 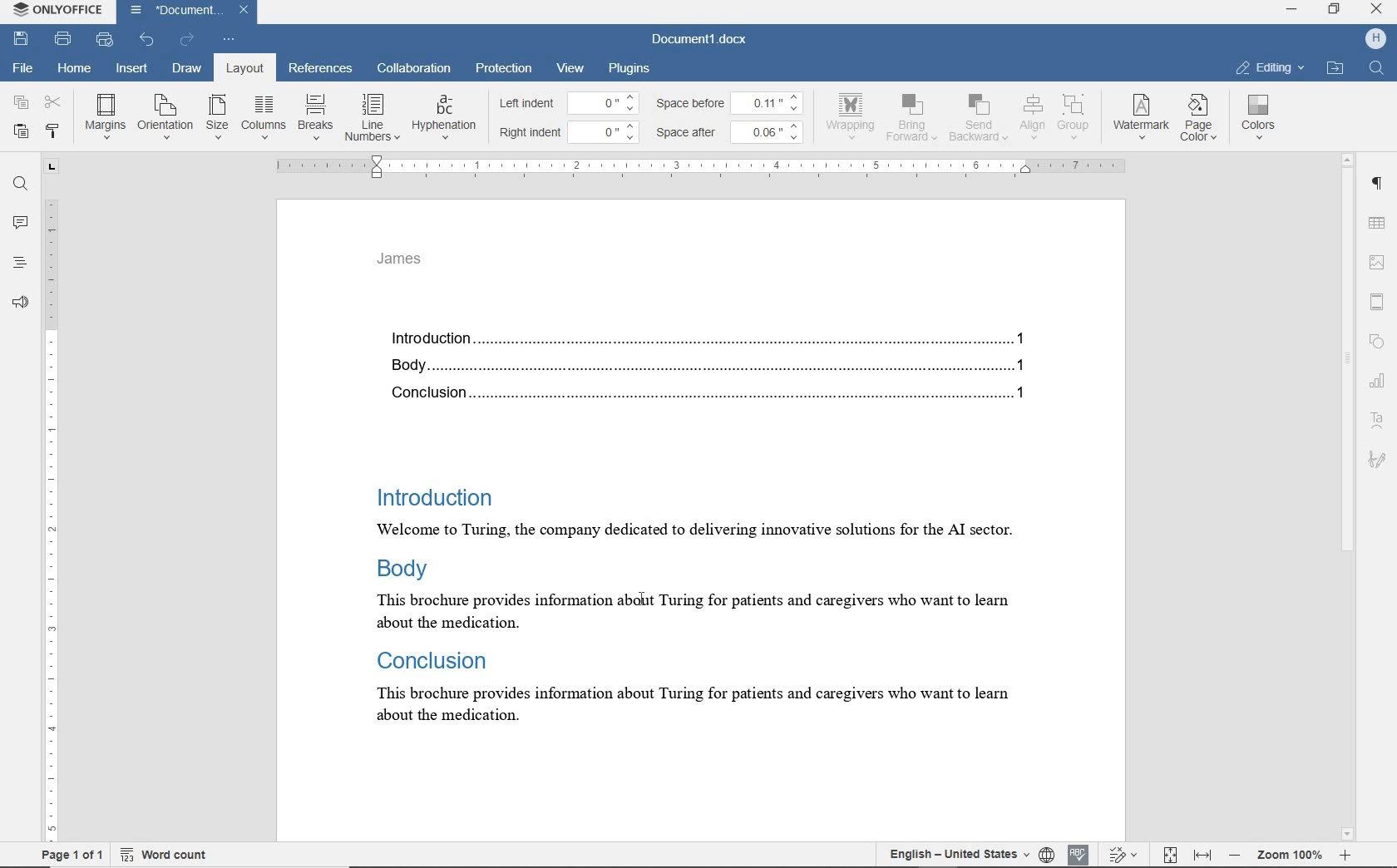 What do you see at coordinates (1030, 116) in the screenshot?
I see `align` at bounding box center [1030, 116].